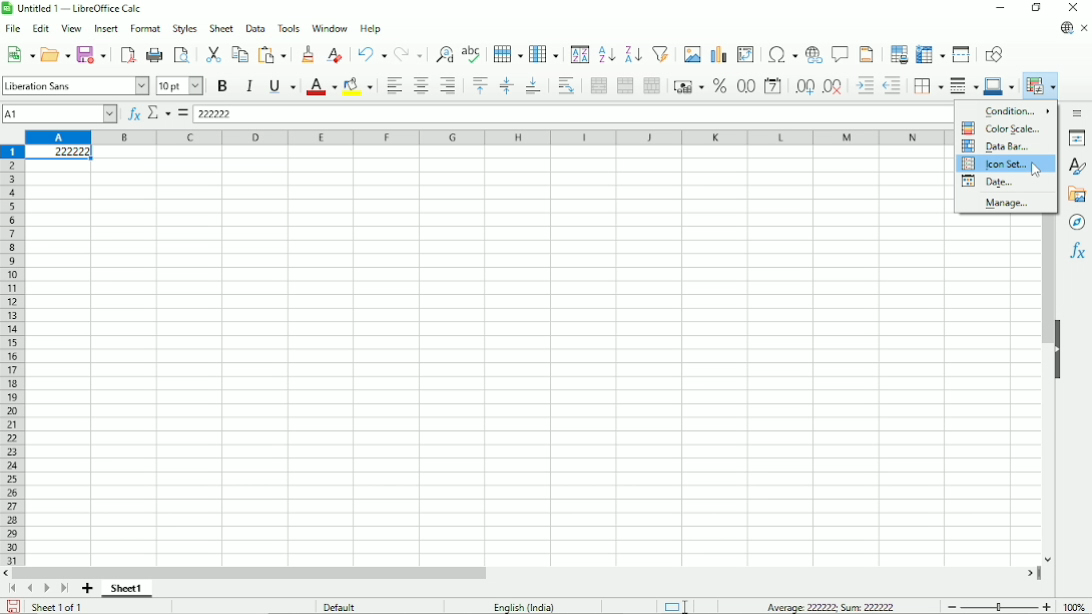 This screenshot has width=1092, height=614. Describe the element at coordinates (1016, 109) in the screenshot. I see `Condition` at that location.